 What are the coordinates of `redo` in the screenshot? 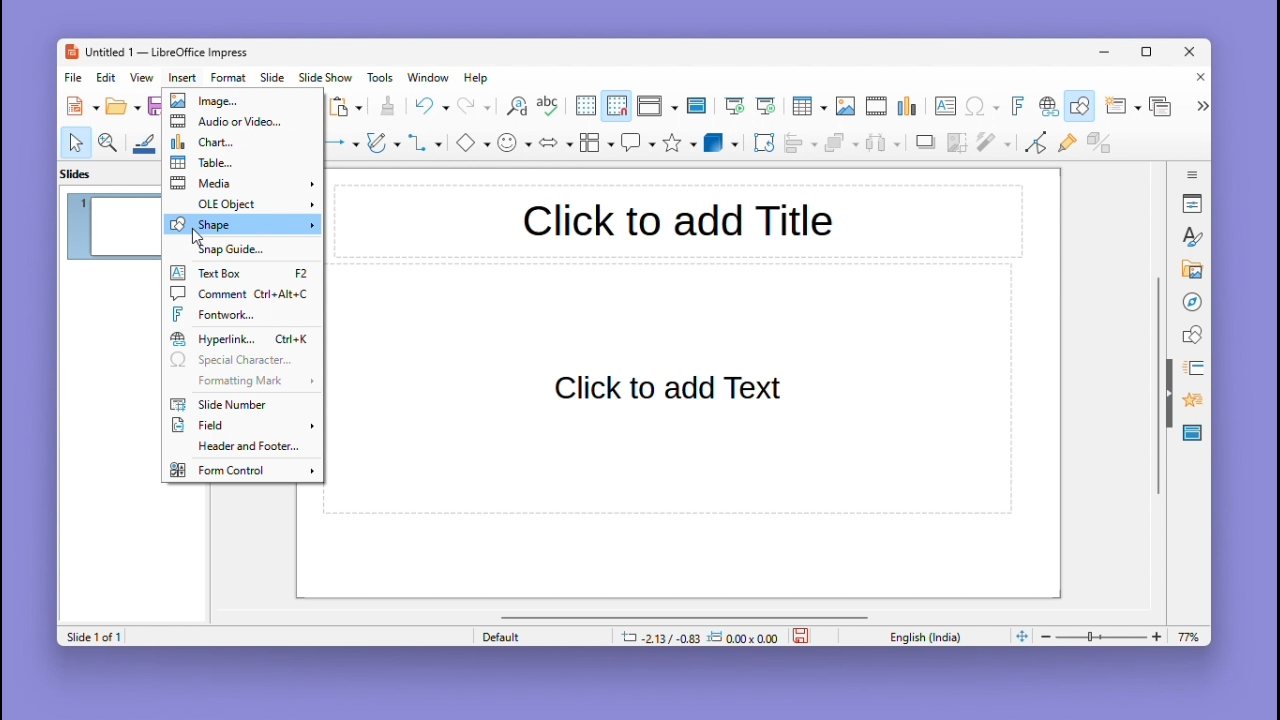 It's located at (475, 107).